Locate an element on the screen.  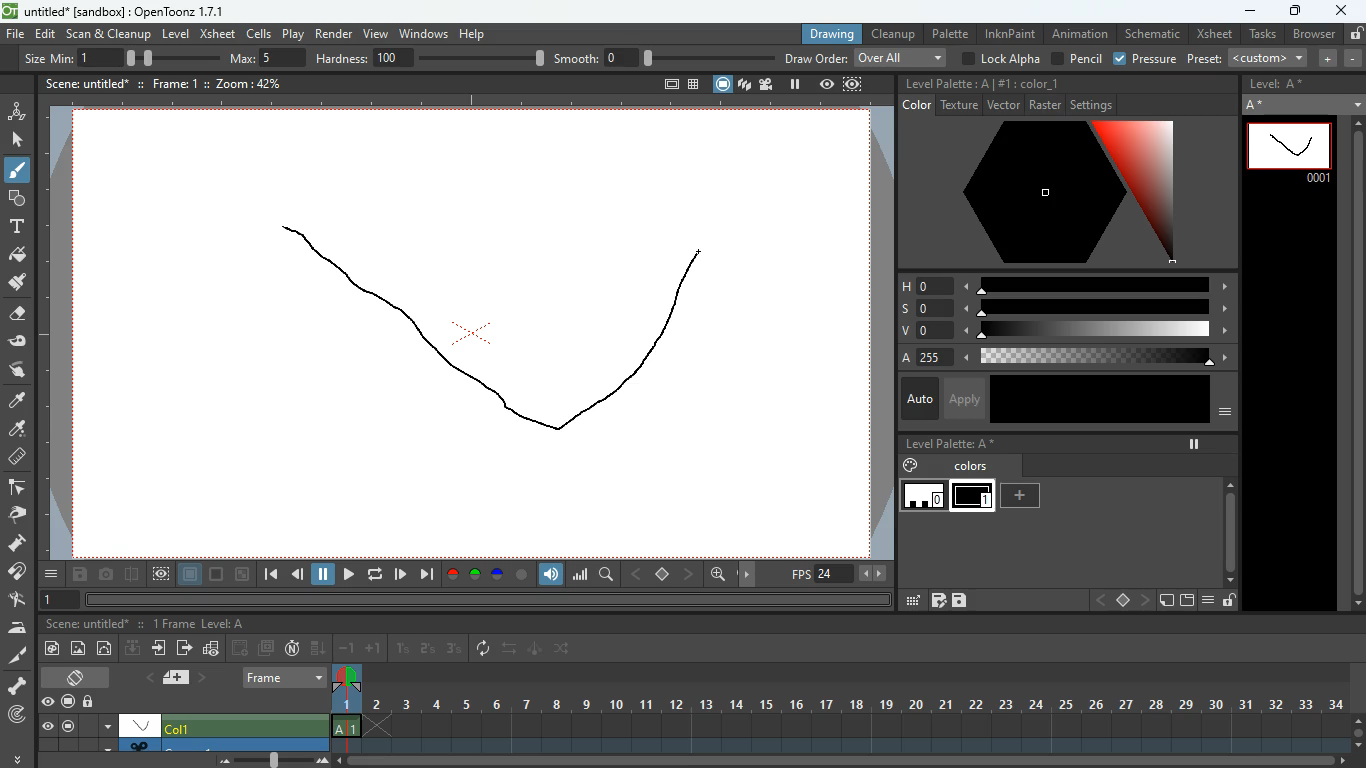
document is located at coordinates (180, 677).